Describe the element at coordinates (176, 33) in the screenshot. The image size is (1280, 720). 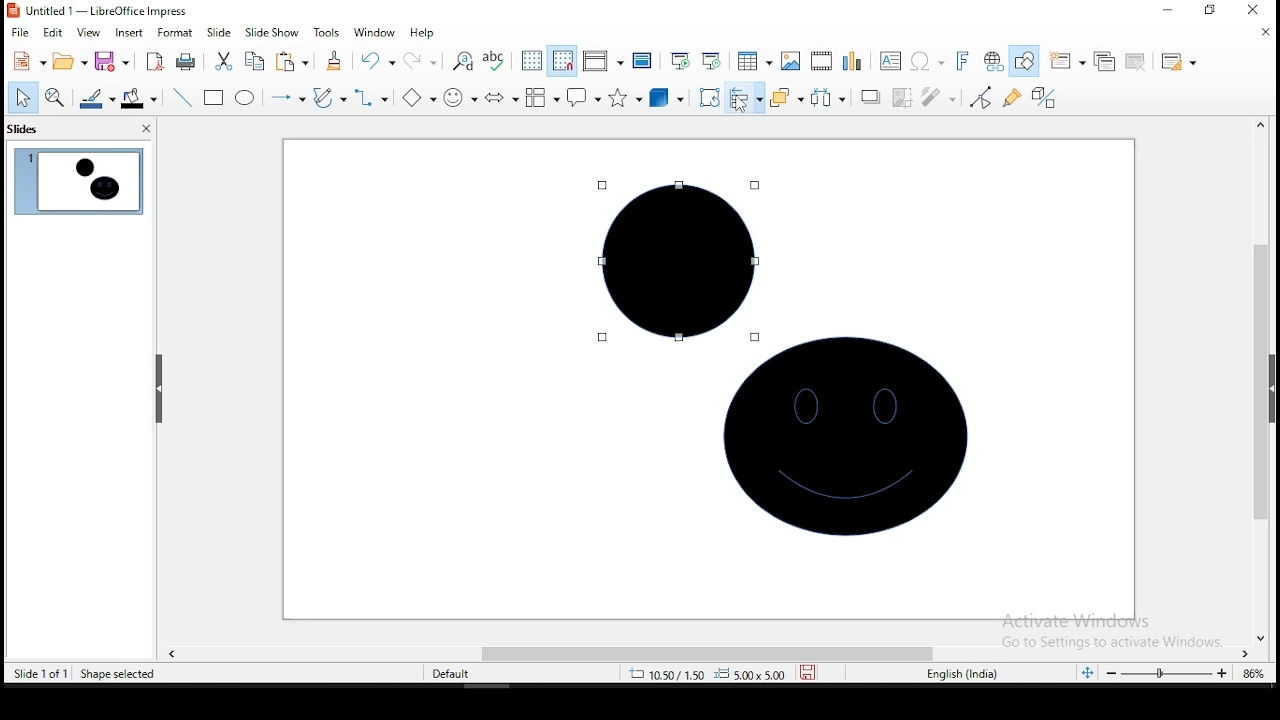
I see `format` at that location.